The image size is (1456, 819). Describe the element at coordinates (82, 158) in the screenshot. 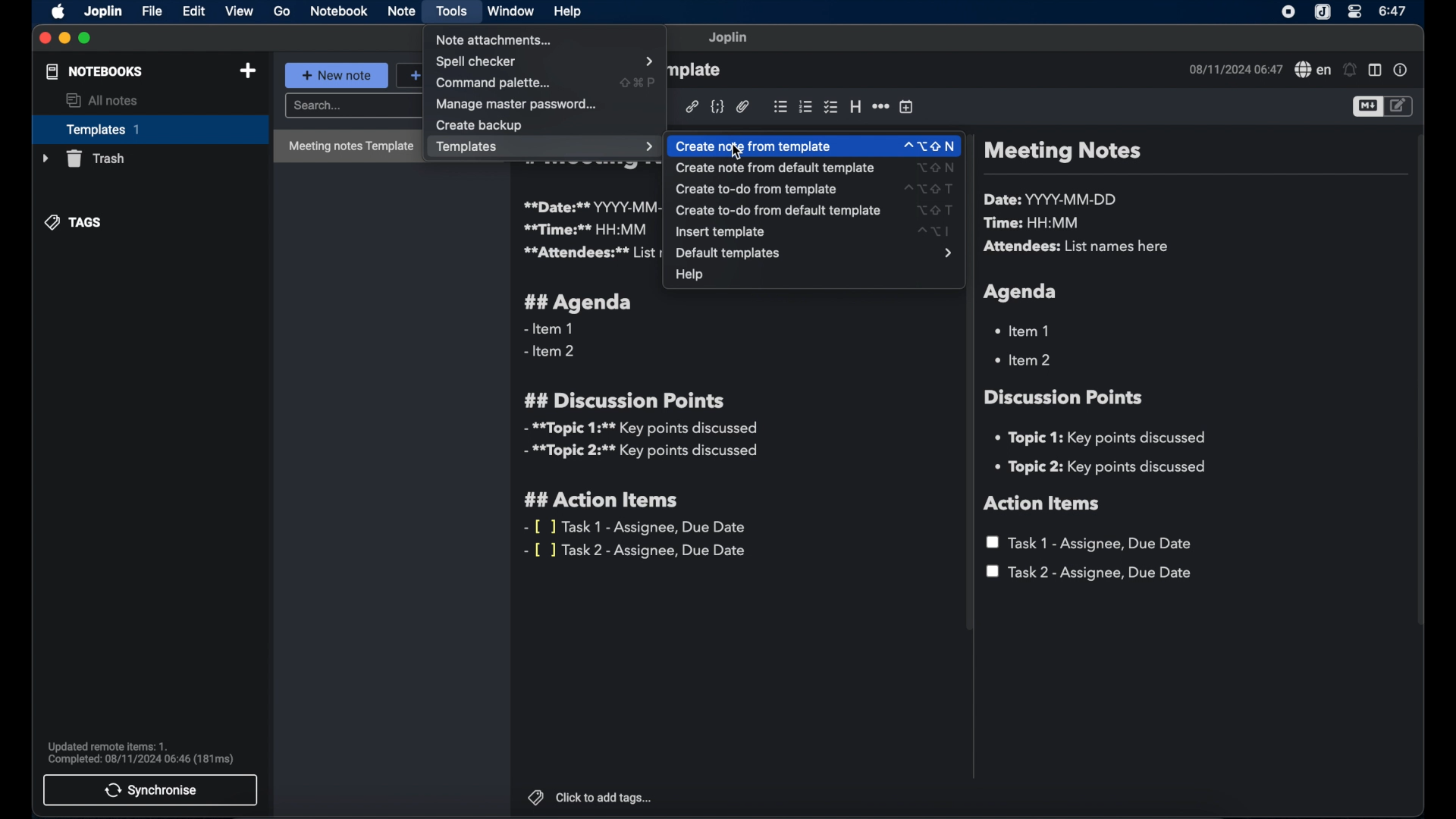

I see `trash` at that location.